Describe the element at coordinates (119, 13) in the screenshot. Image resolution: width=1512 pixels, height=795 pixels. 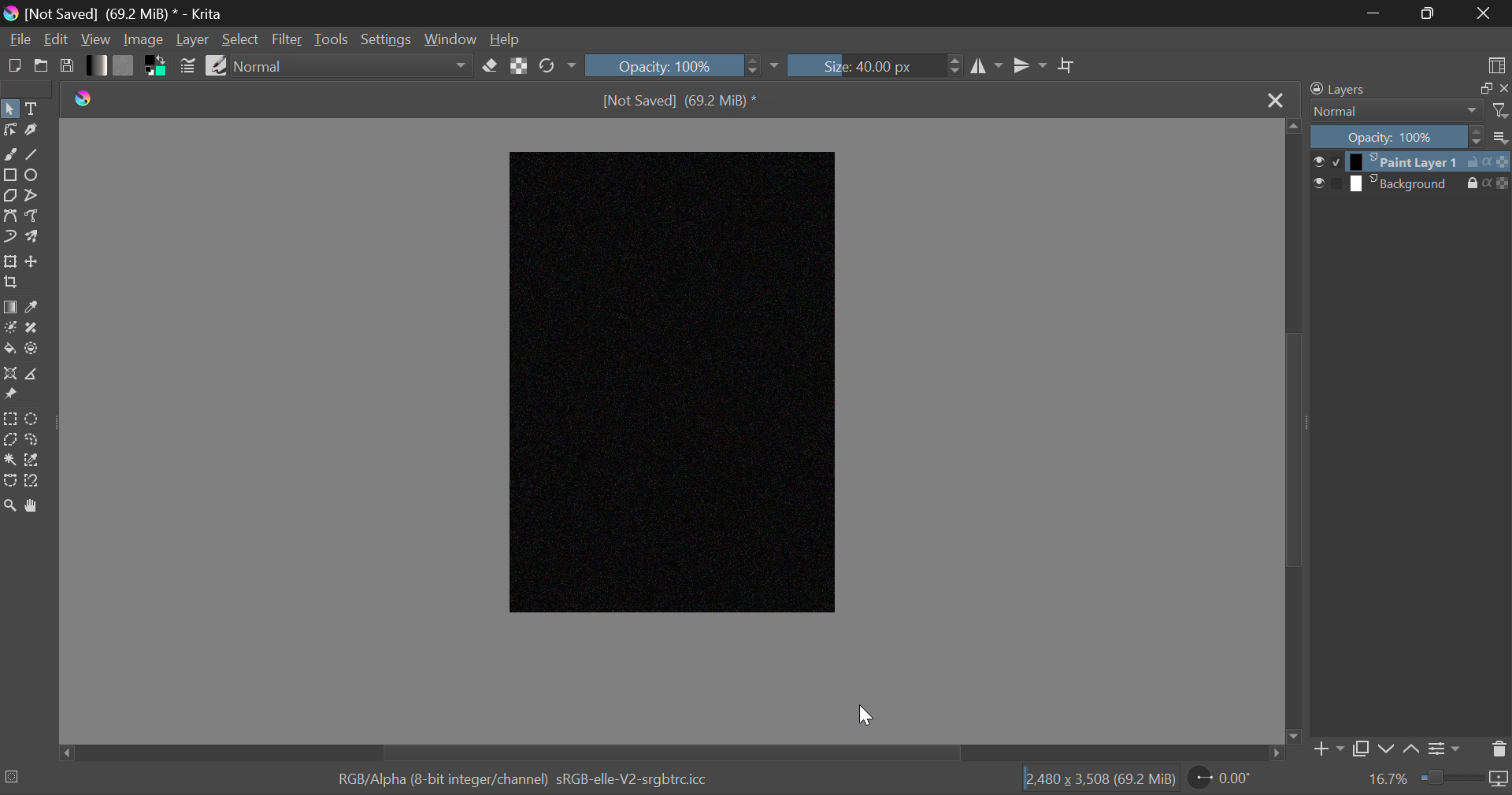
I see `[not saved] (69.2 mib)* - krita` at that location.